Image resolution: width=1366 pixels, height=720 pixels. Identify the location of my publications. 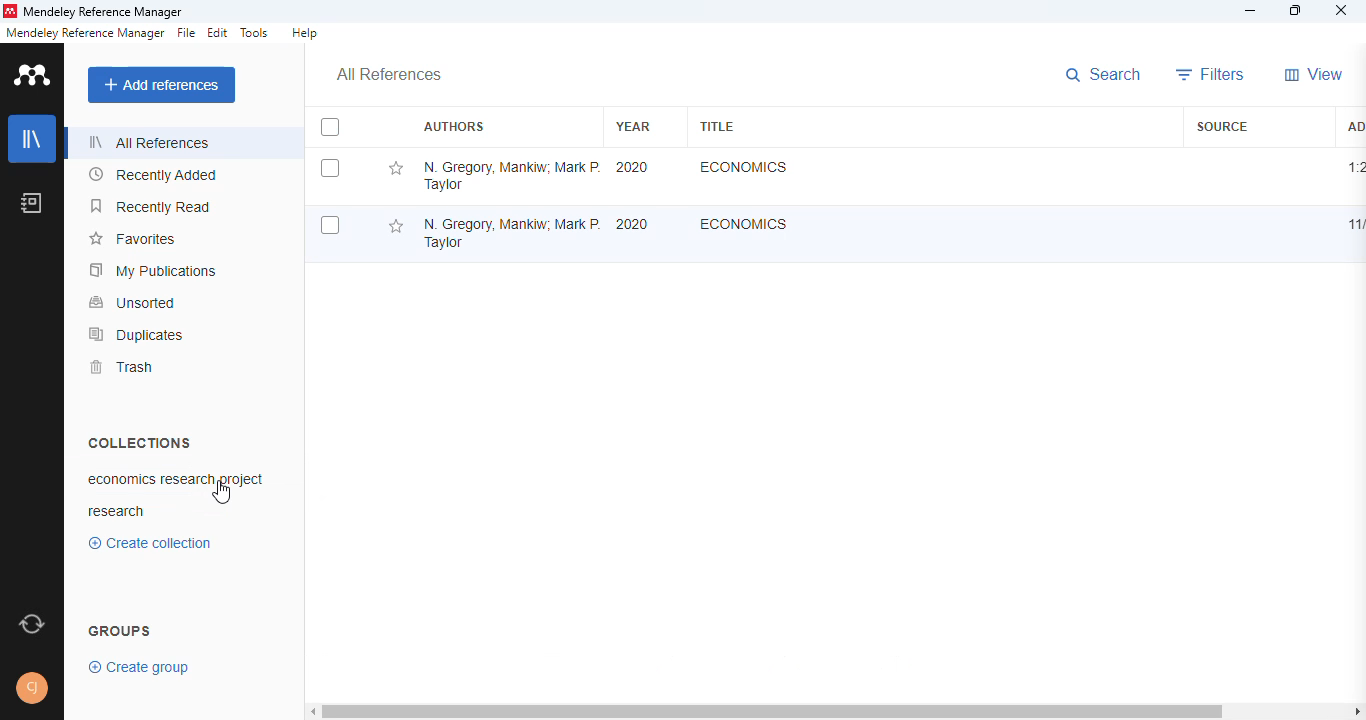
(154, 270).